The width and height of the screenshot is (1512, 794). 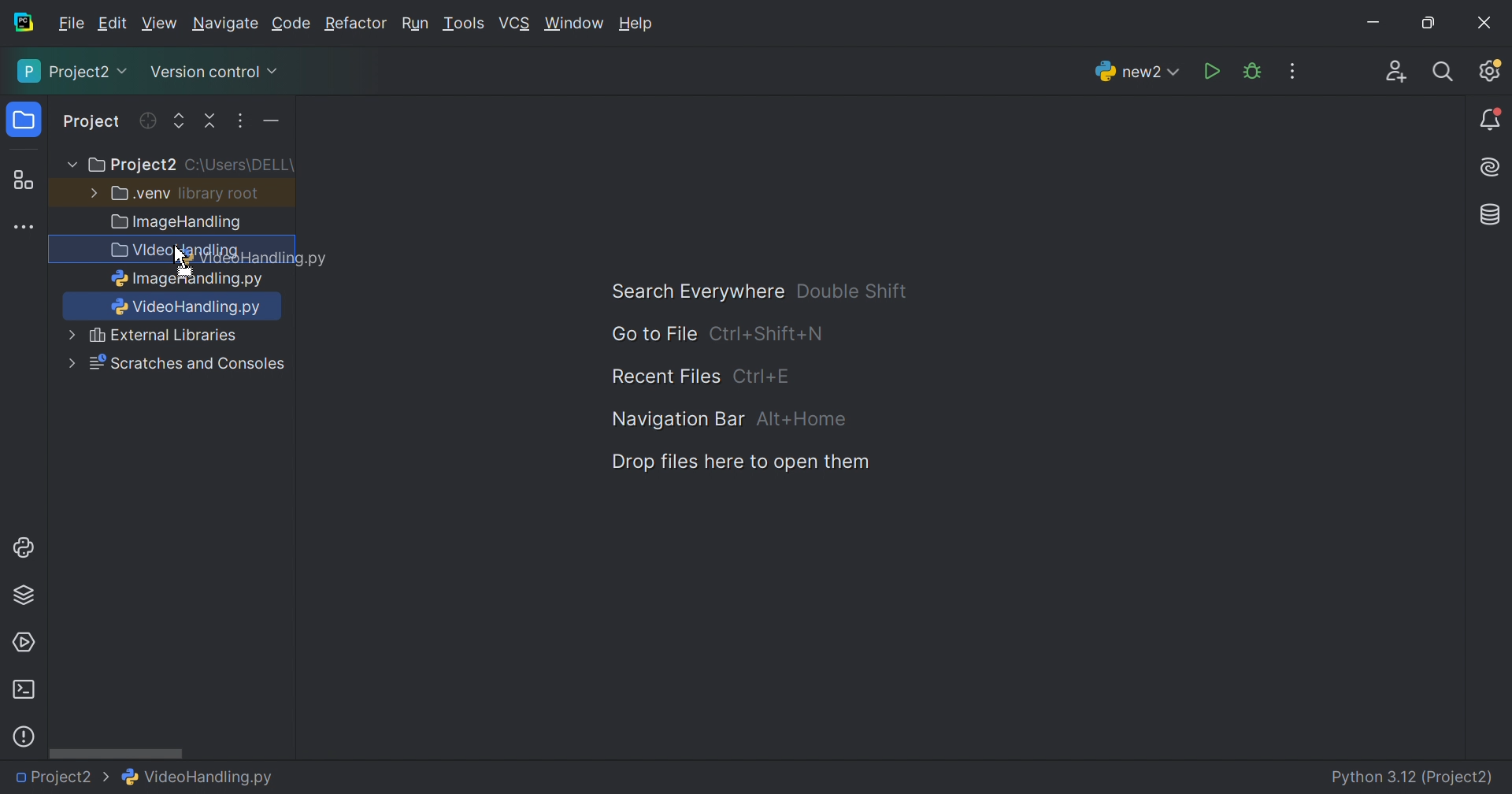 What do you see at coordinates (637, 23) in the screenshot?
I see `Help` at bounding box center [637, 23].